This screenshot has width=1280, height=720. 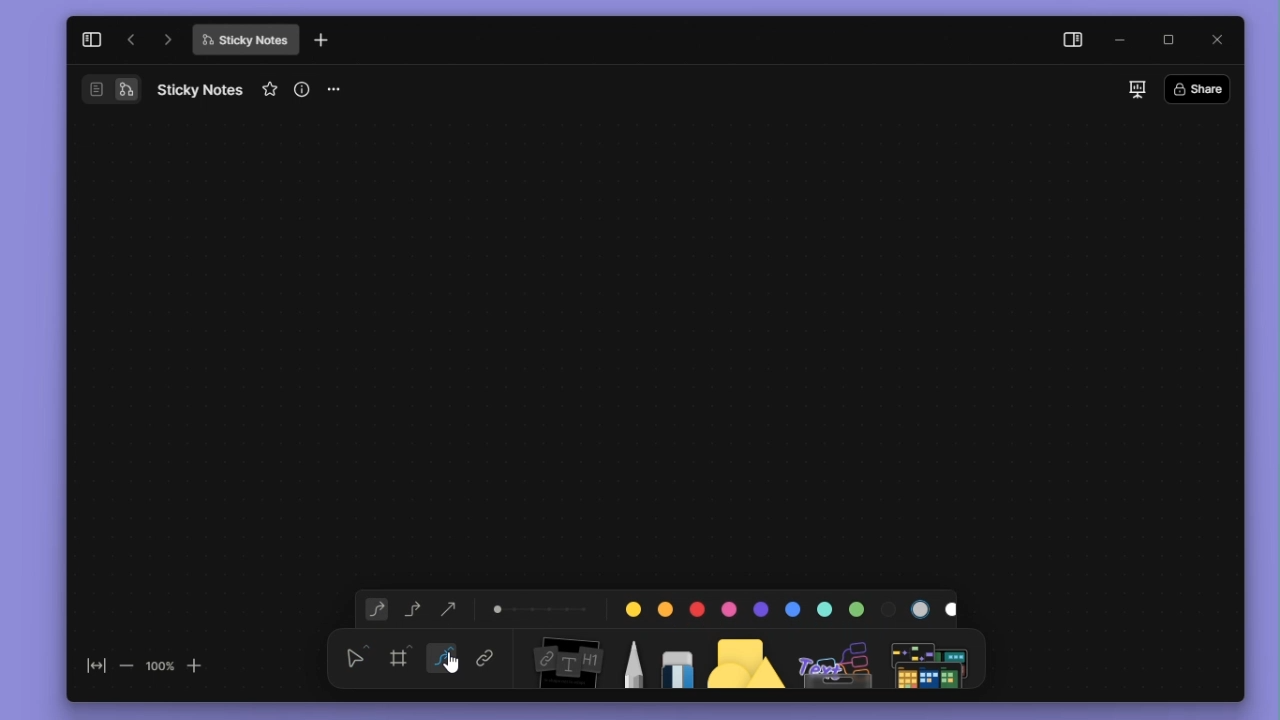 I want to click on zoom in, so click(x=196, y=664).